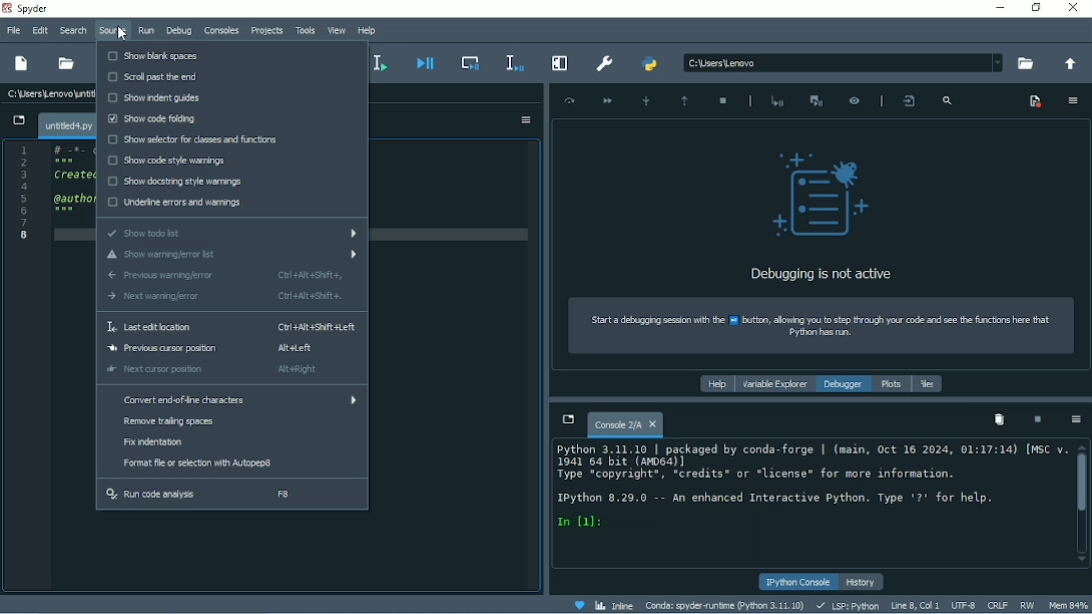  What do you see at coordinates (228, 348) in the screenshot?
I see `Previous cursor position` at bounding box center [228, 348].